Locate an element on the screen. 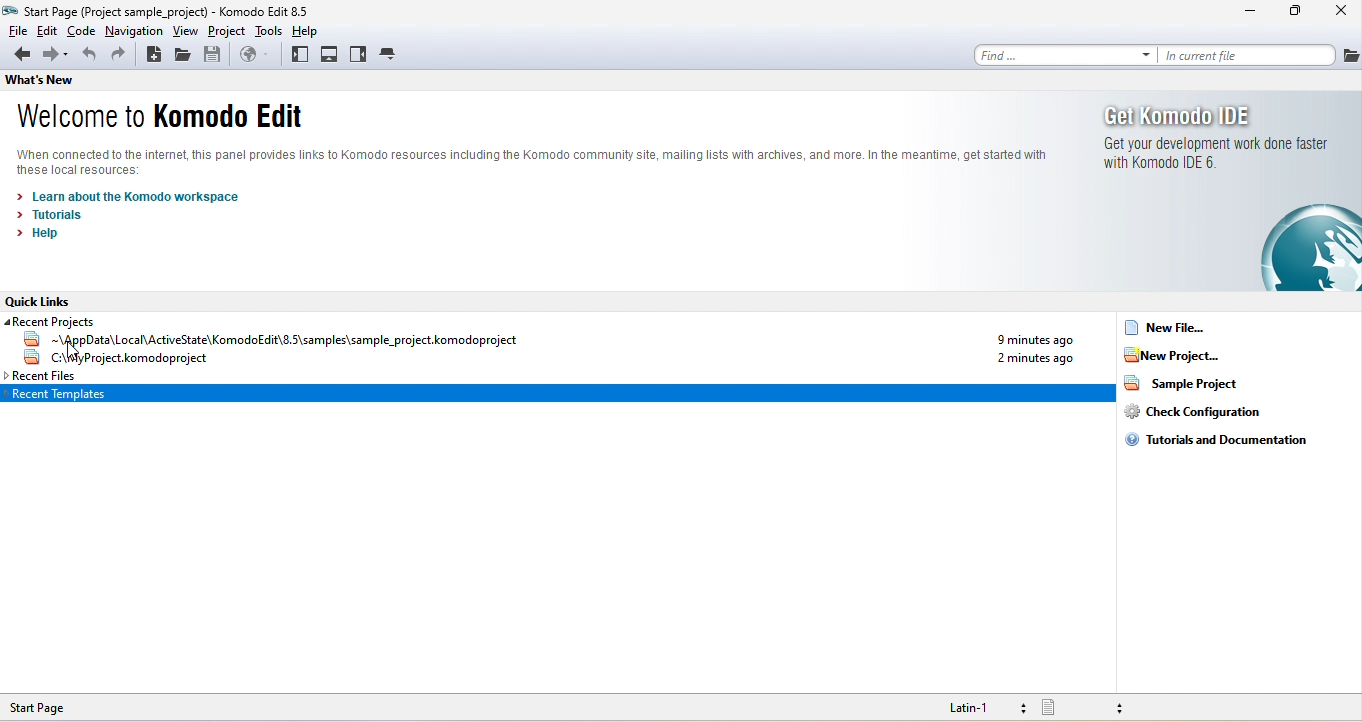 This screenshot has width=1362, height=722. new project is located at coordinates (1190, 360).